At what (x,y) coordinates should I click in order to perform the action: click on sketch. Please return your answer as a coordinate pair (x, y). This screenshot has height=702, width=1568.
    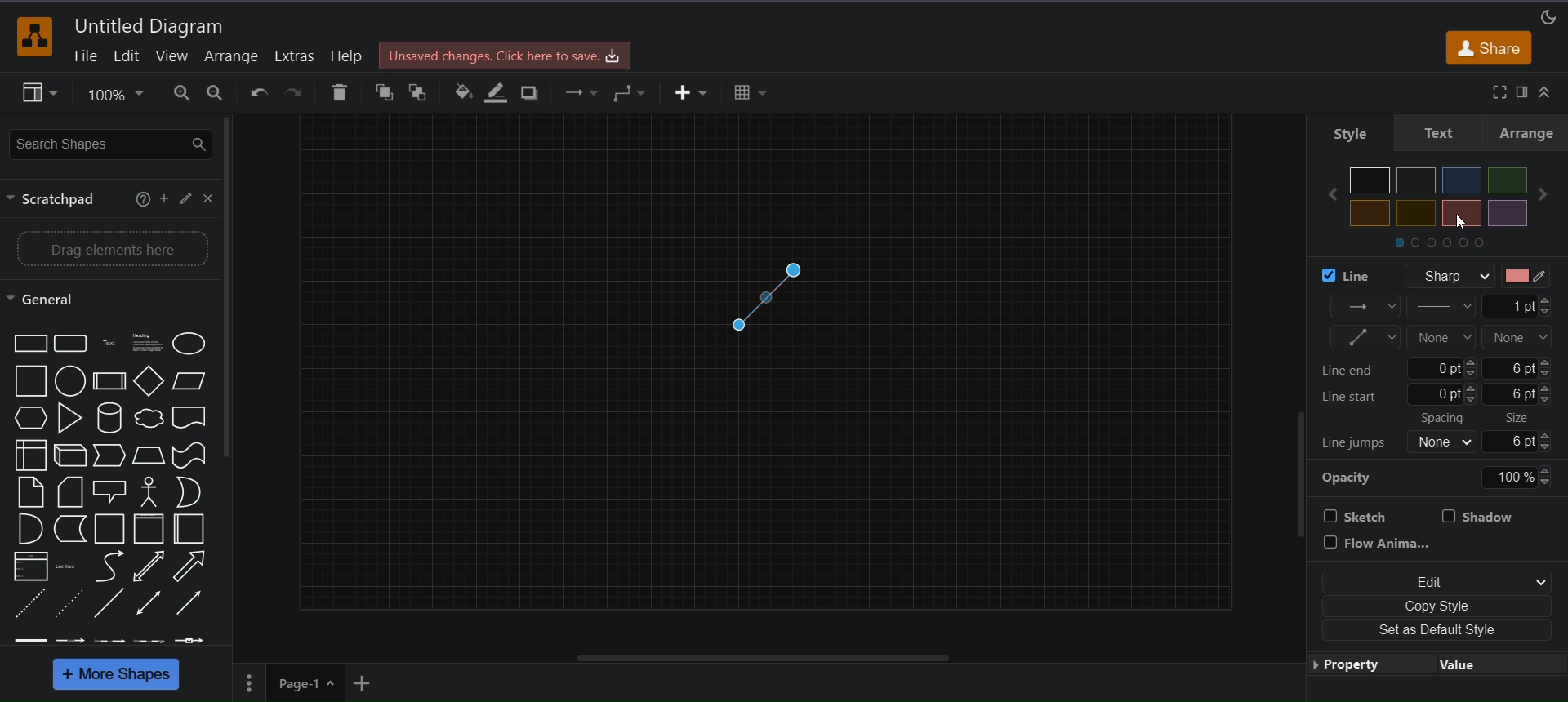
    Looking at the image, I should click on (1362, 516).